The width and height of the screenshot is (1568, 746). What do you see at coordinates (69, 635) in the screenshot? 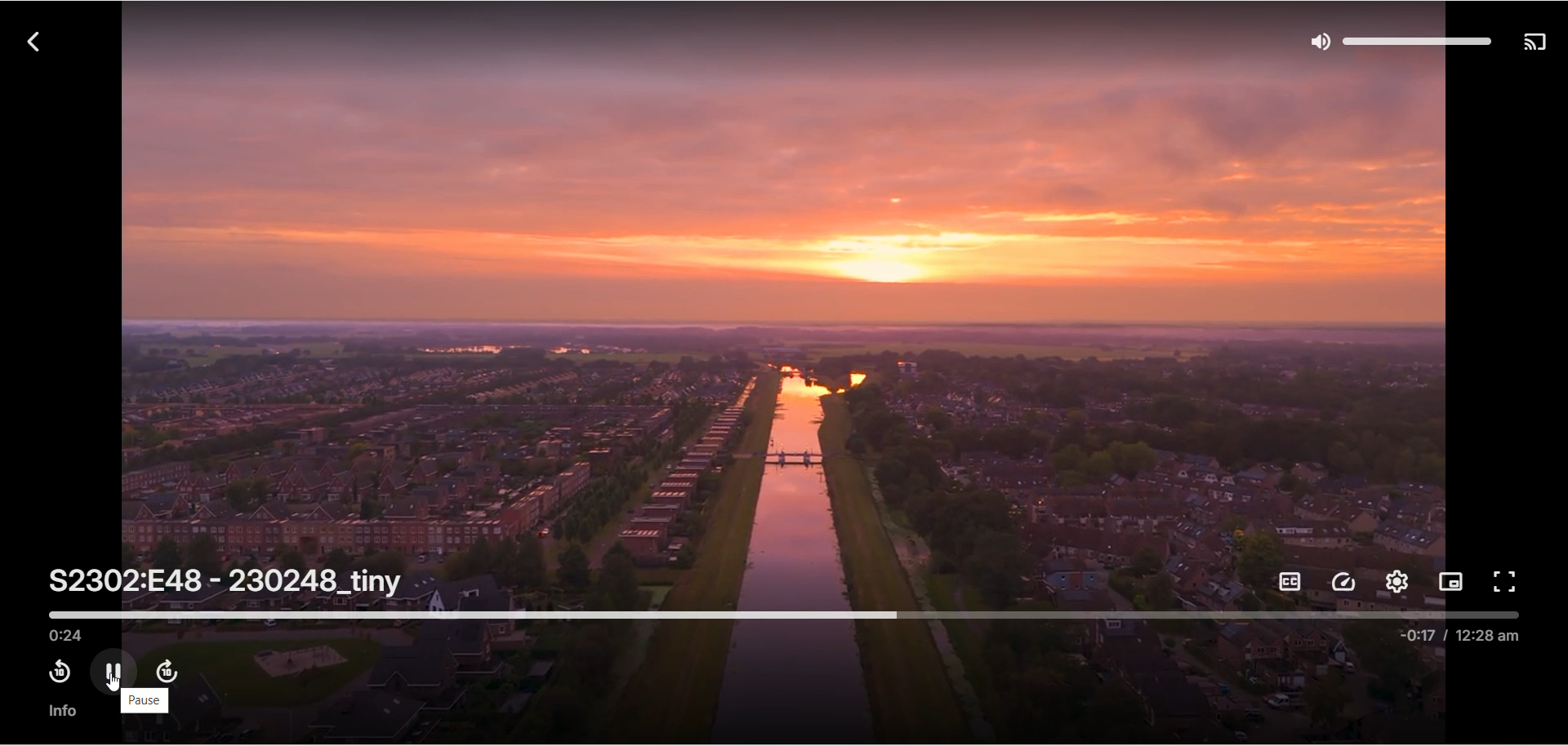
I see `played time- 0:24` at bounding box center [69, 635].